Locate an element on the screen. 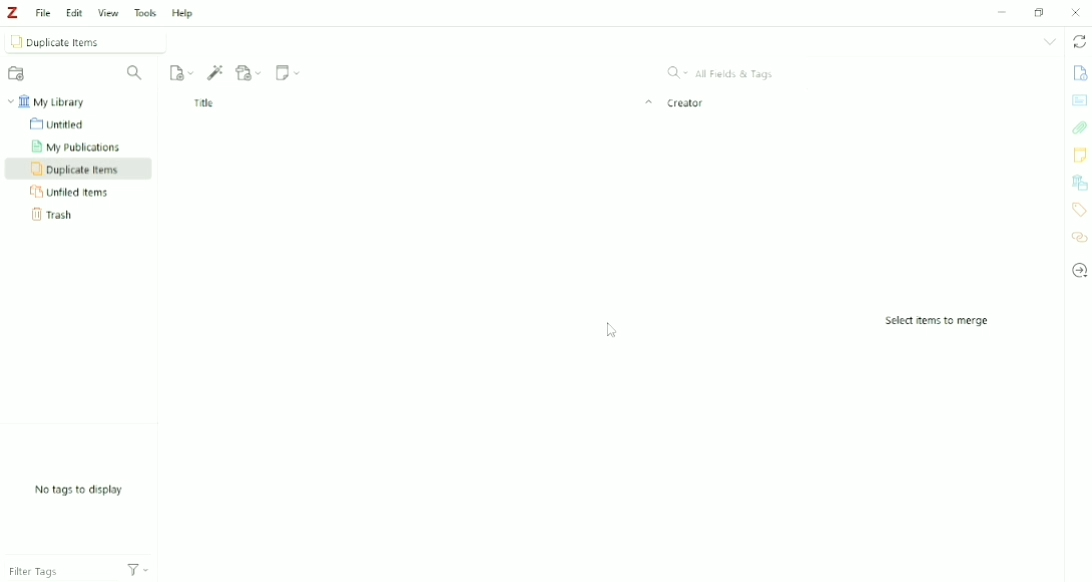  Duplicate Items is located at coordinates (76, 169).